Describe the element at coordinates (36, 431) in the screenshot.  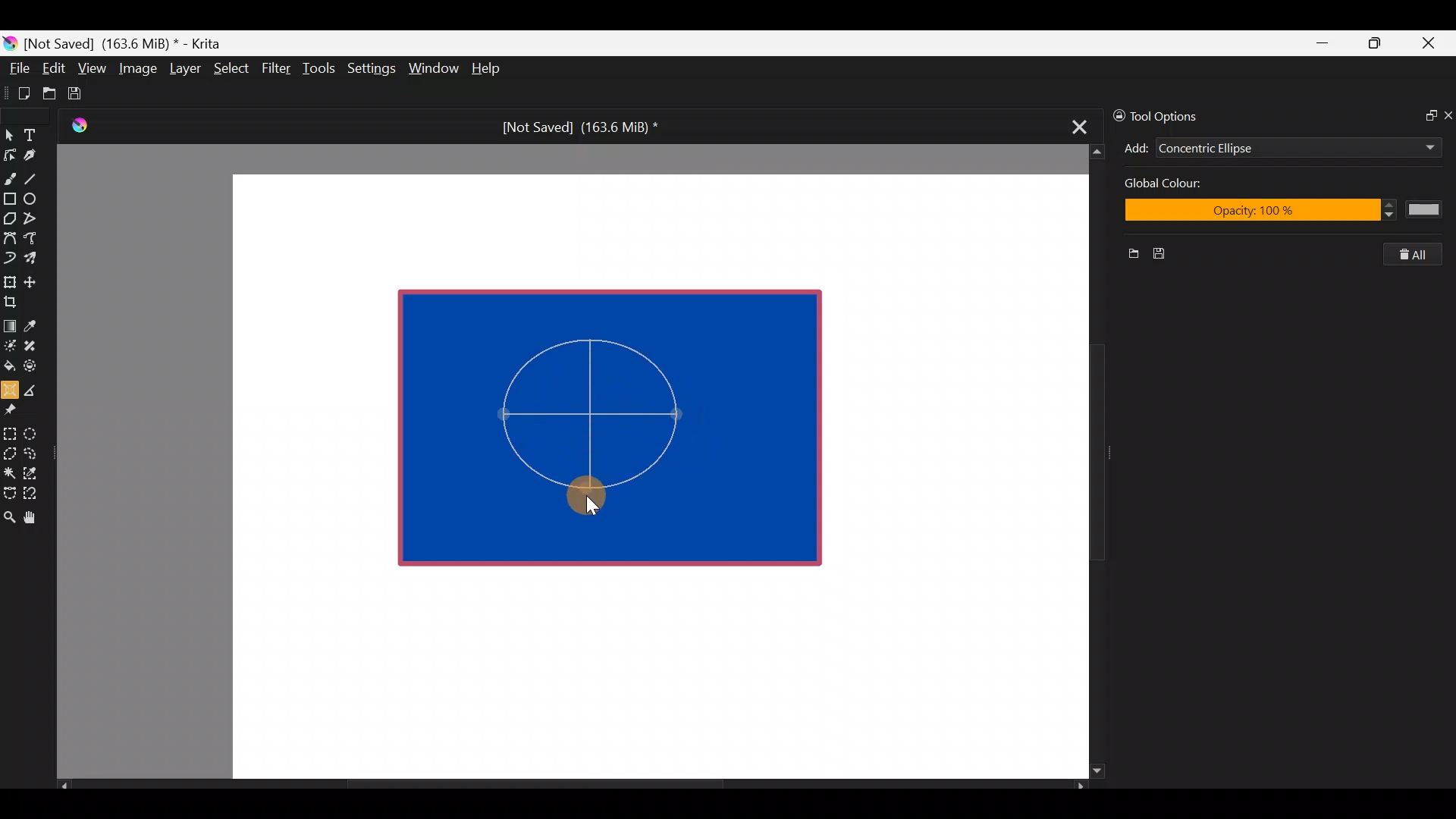
I see `Elliptical selection tool` at that location.